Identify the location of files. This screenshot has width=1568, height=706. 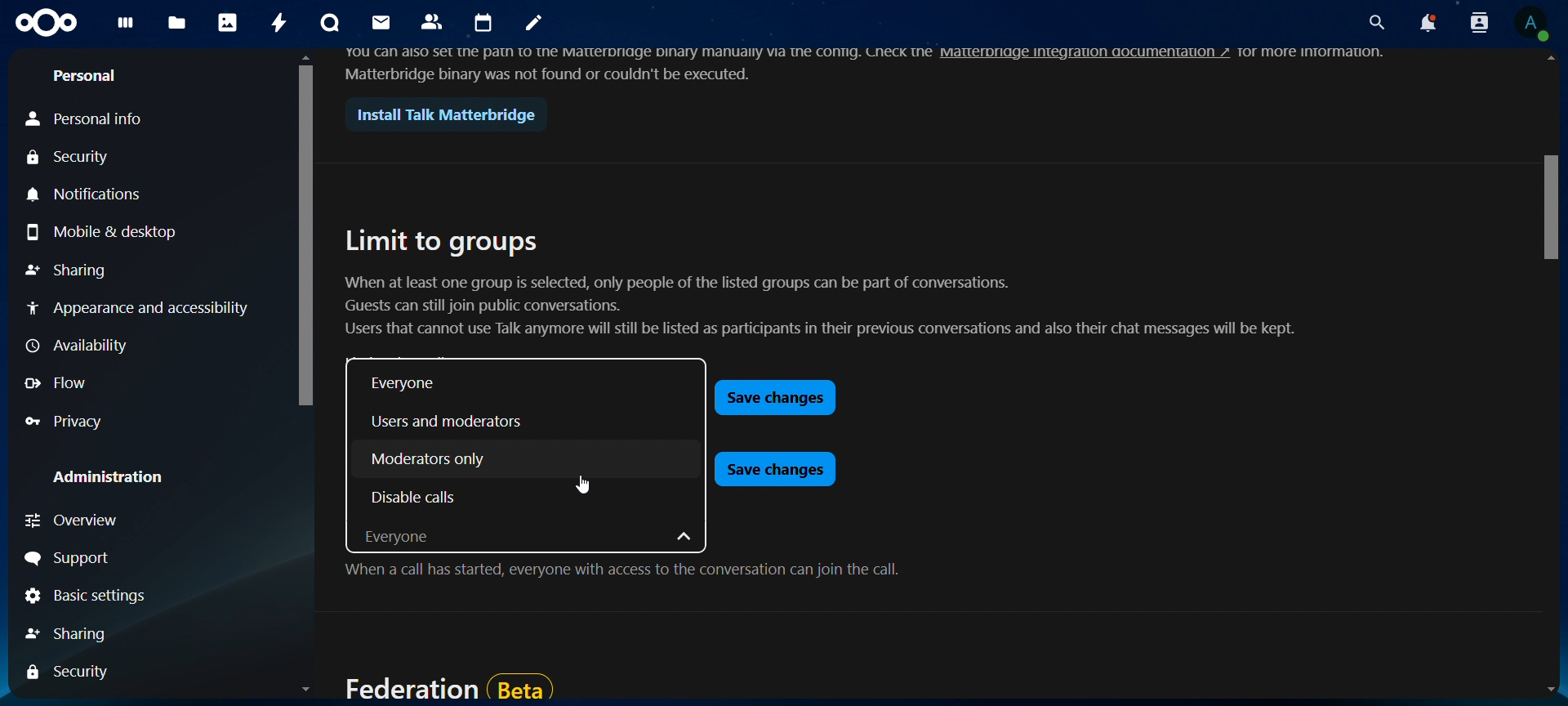
(178, 23).